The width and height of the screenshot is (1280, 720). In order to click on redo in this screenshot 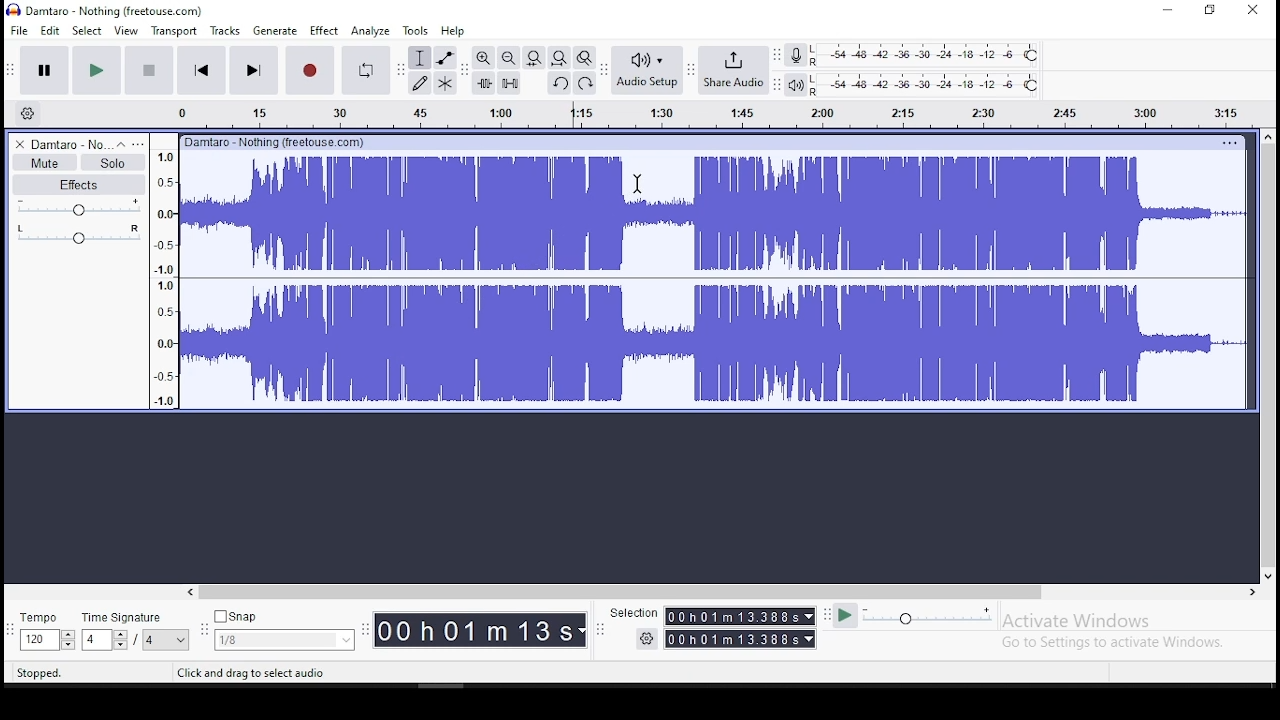, I will do `click(584, 83)`.